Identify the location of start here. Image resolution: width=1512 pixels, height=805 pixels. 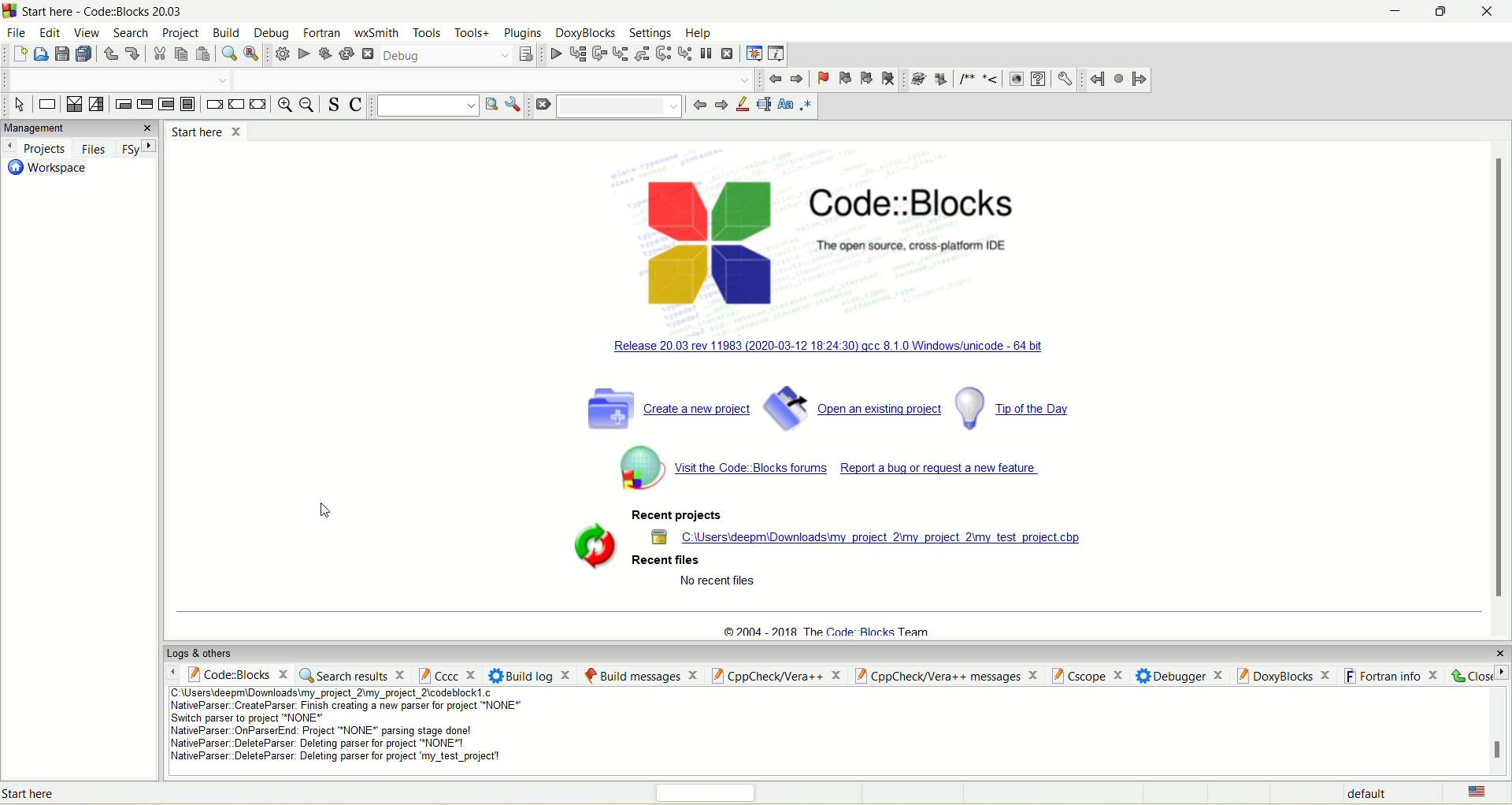
(206, 131).